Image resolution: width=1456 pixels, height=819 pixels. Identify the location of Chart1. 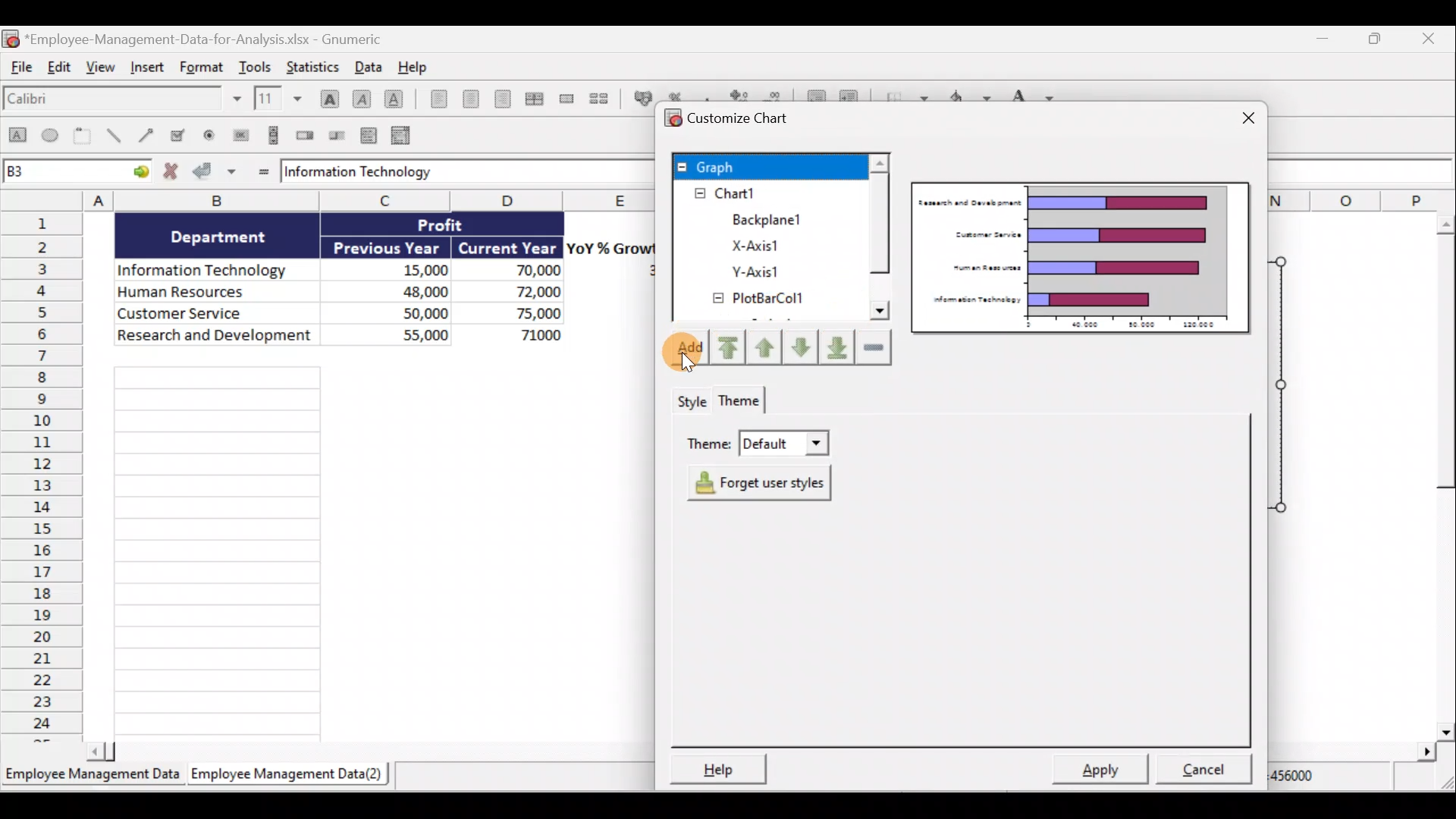
(741, 193).